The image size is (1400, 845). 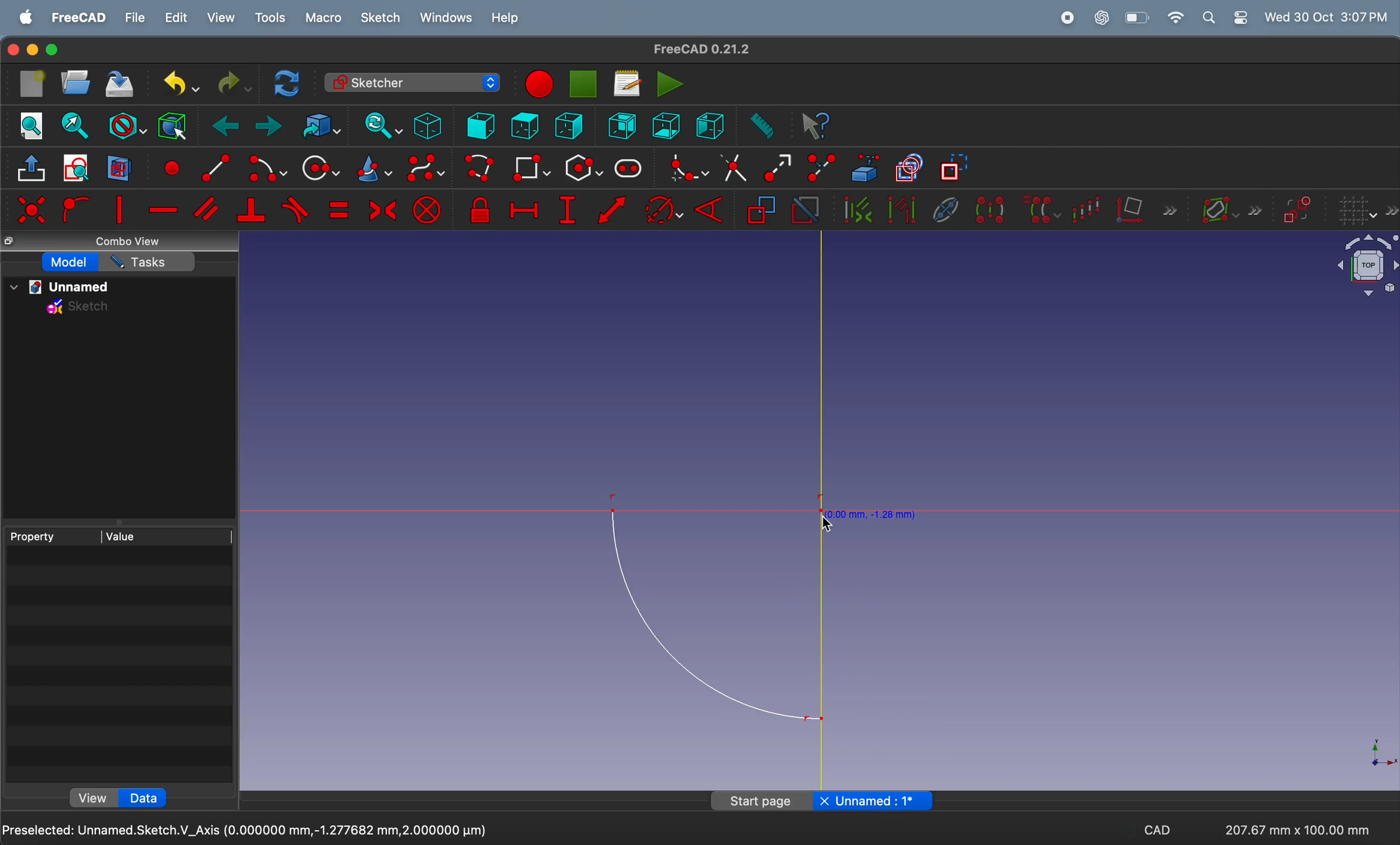 What do you see at coordinates (320, 168) in the screenshot?
I see `create circle` at bounding box center [320, 168].